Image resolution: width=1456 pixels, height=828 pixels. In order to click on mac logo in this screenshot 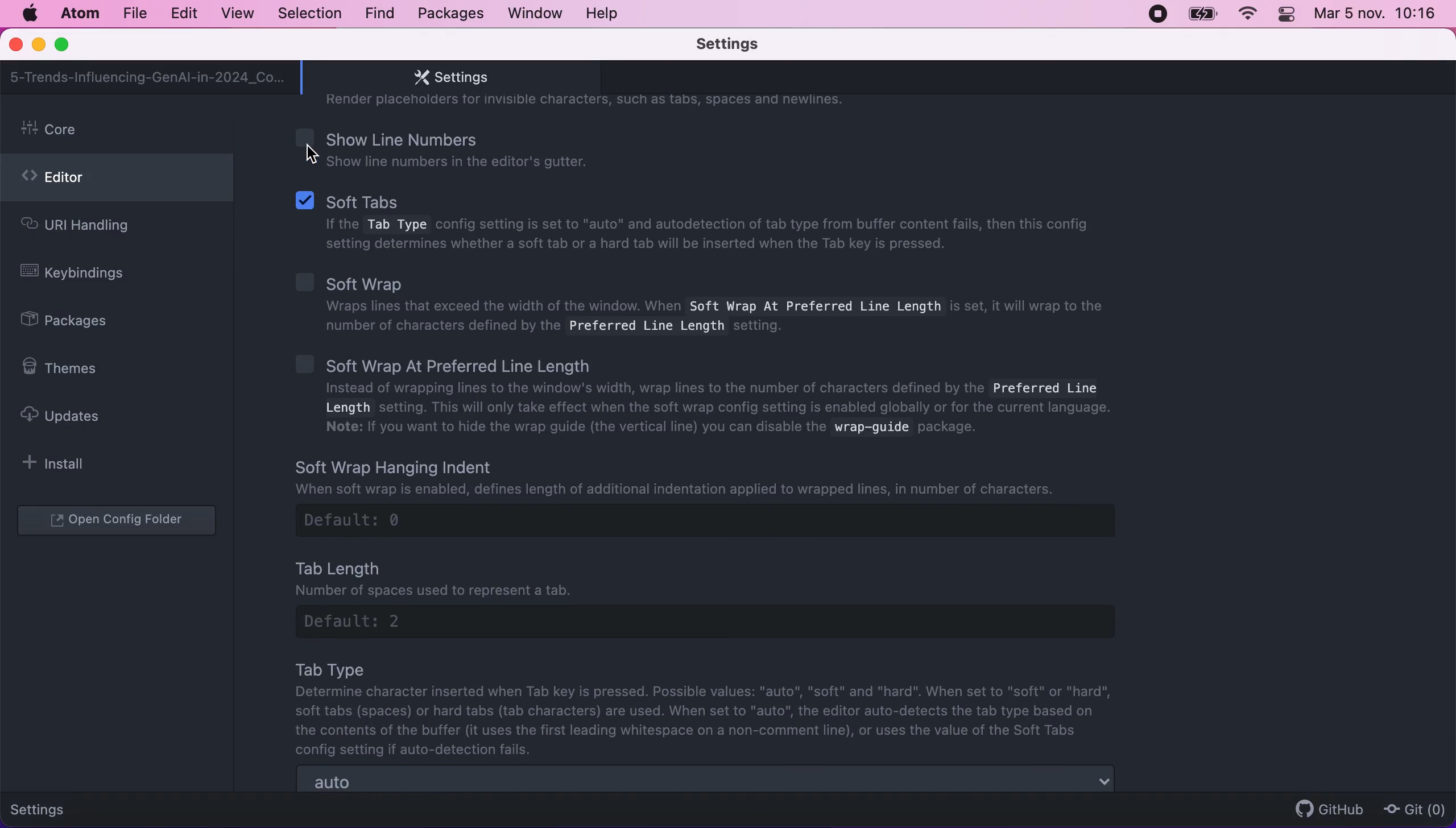, I will do `click(29, 14)`.